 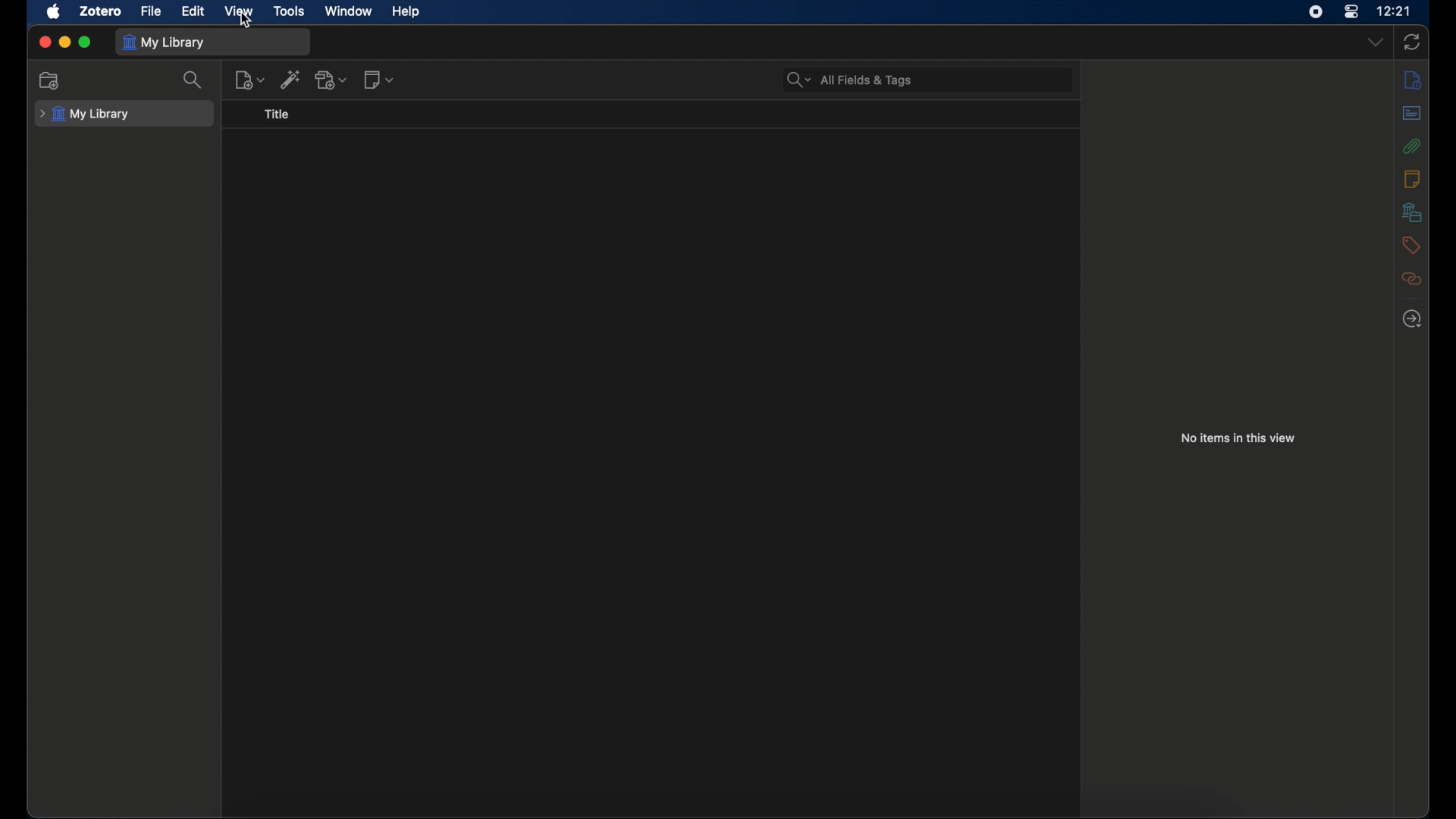 What do you see at coordinates (1351, 12) in the screenshot?
I see `control center` at bounding box center [1351, 12].